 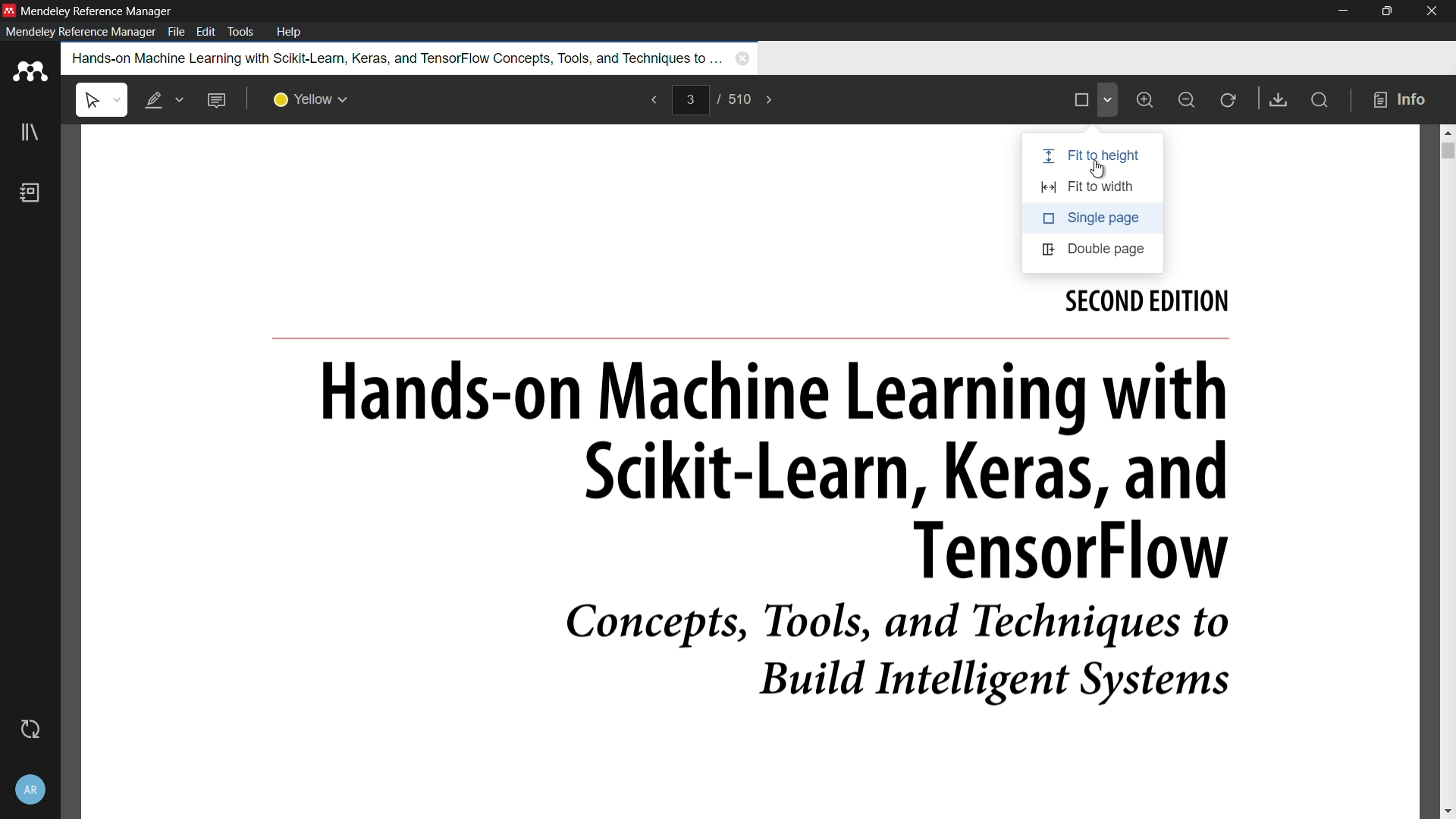 I want to click on refresh, so click(x=1229, y=101).